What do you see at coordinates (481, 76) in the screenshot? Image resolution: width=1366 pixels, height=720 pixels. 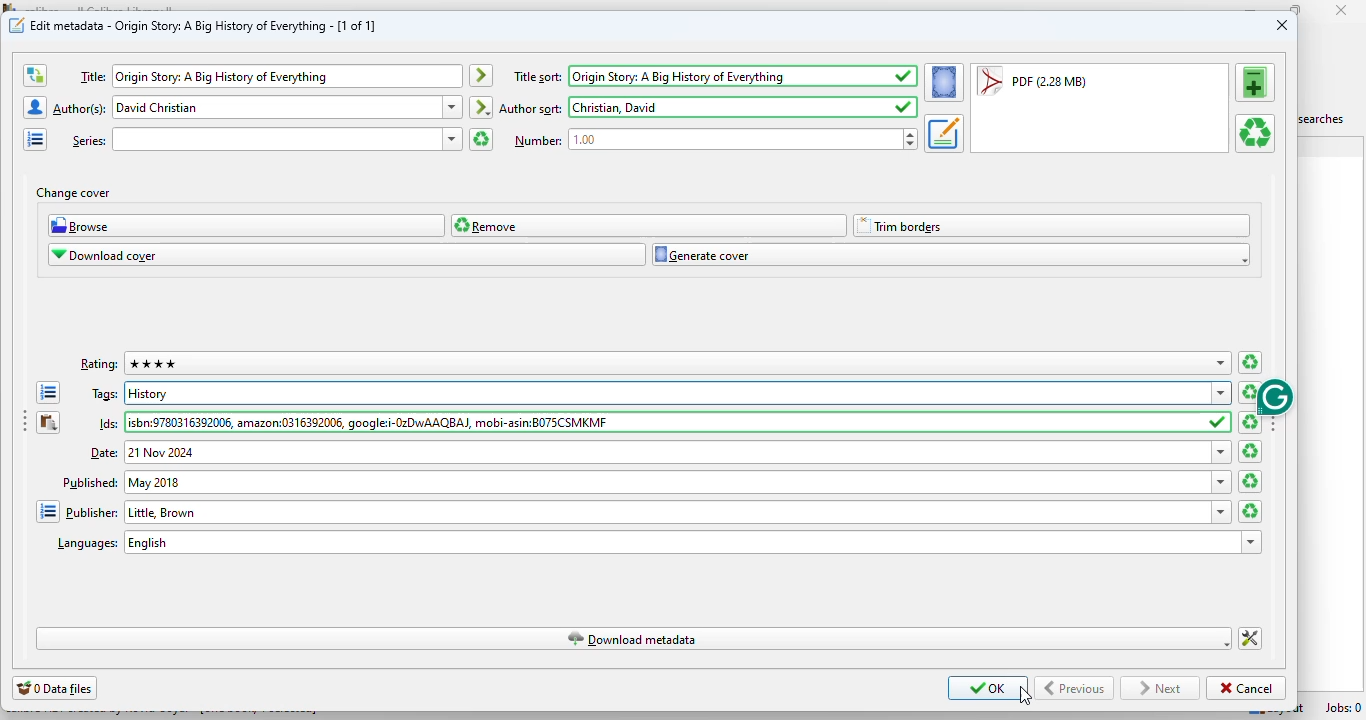 I see `automatically create the title sort entry based on the current title entry` at bounding box center [481, 76].